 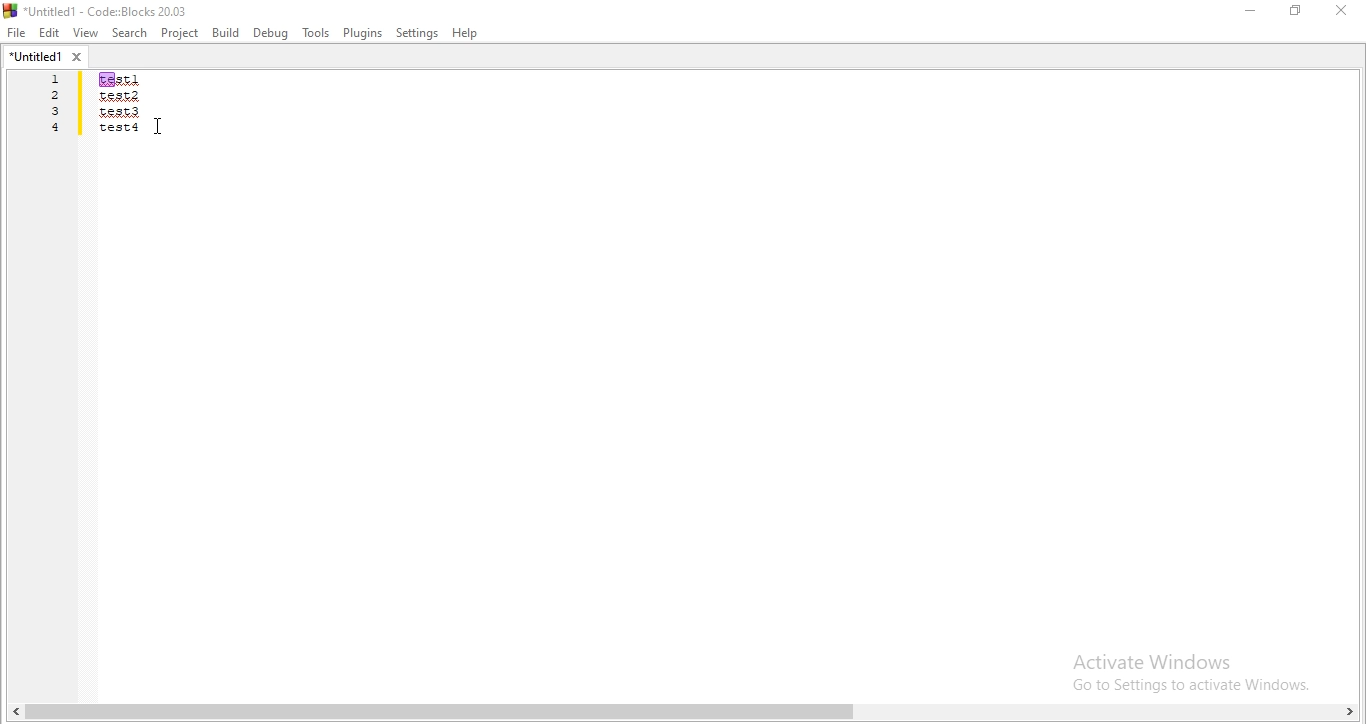 I want to click on minimize, so click(x=1248, y=12).